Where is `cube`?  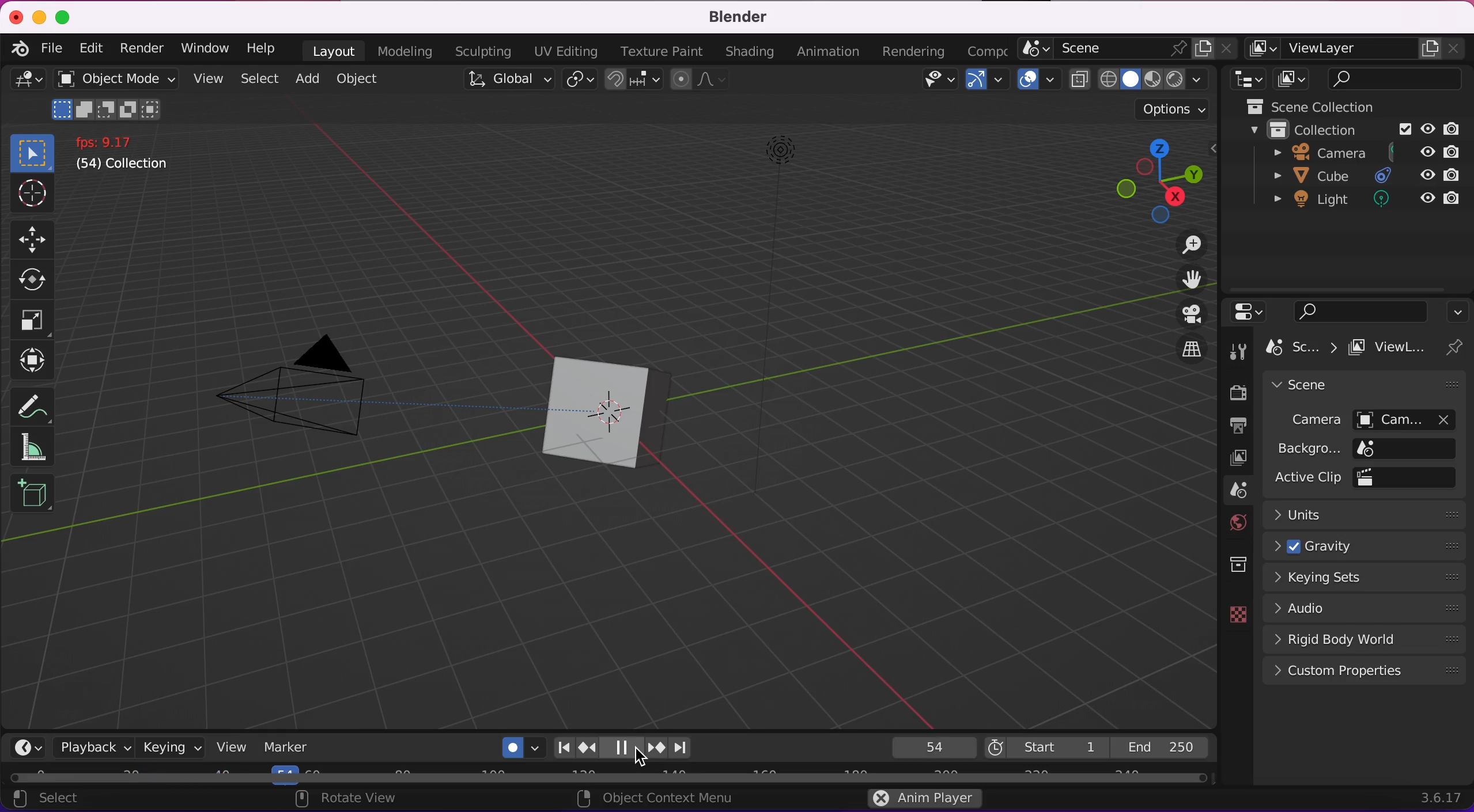 cube is located at coordinates (1358, 176).